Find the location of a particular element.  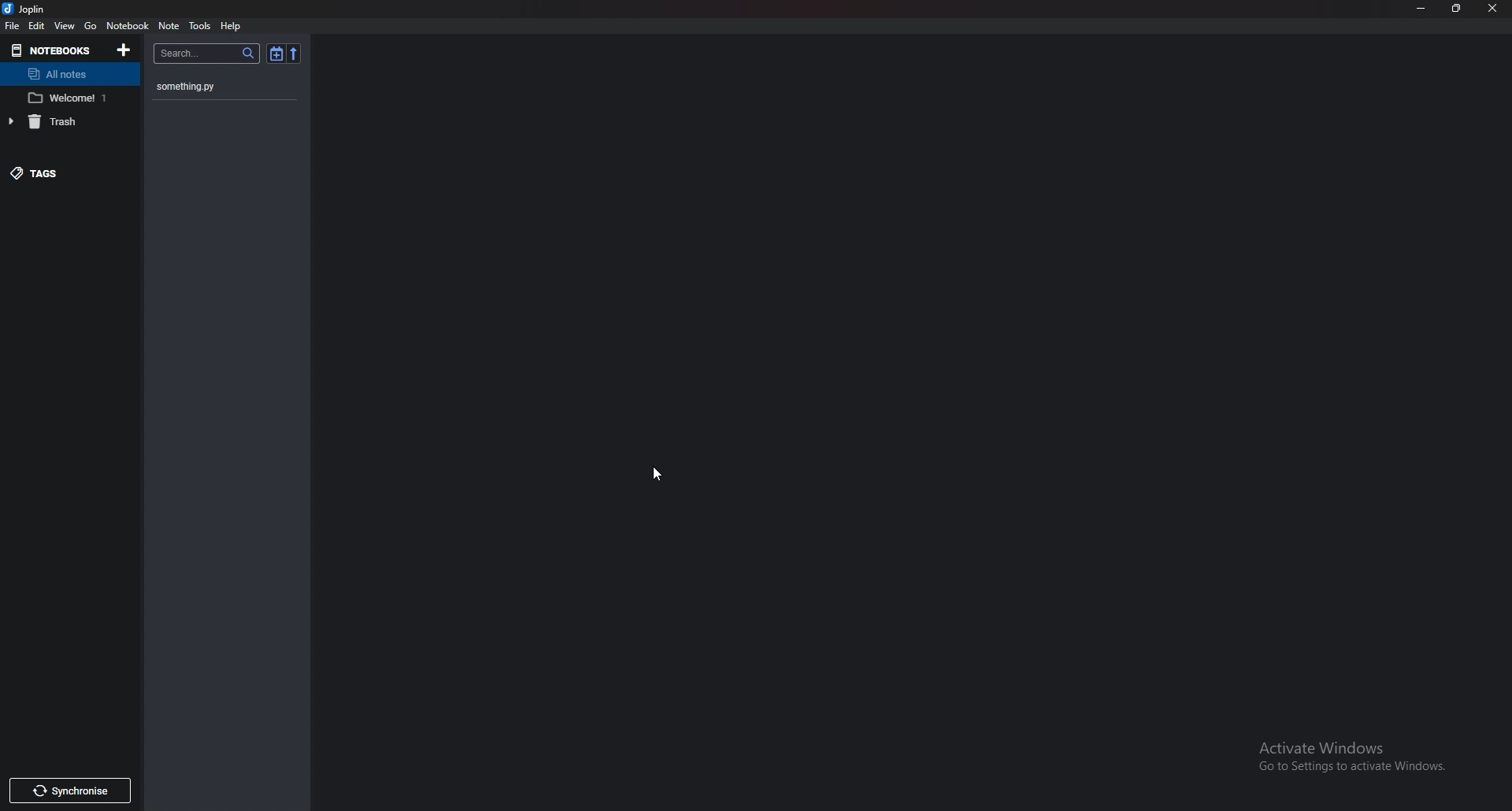

close is located at coordinates (1490, 7).